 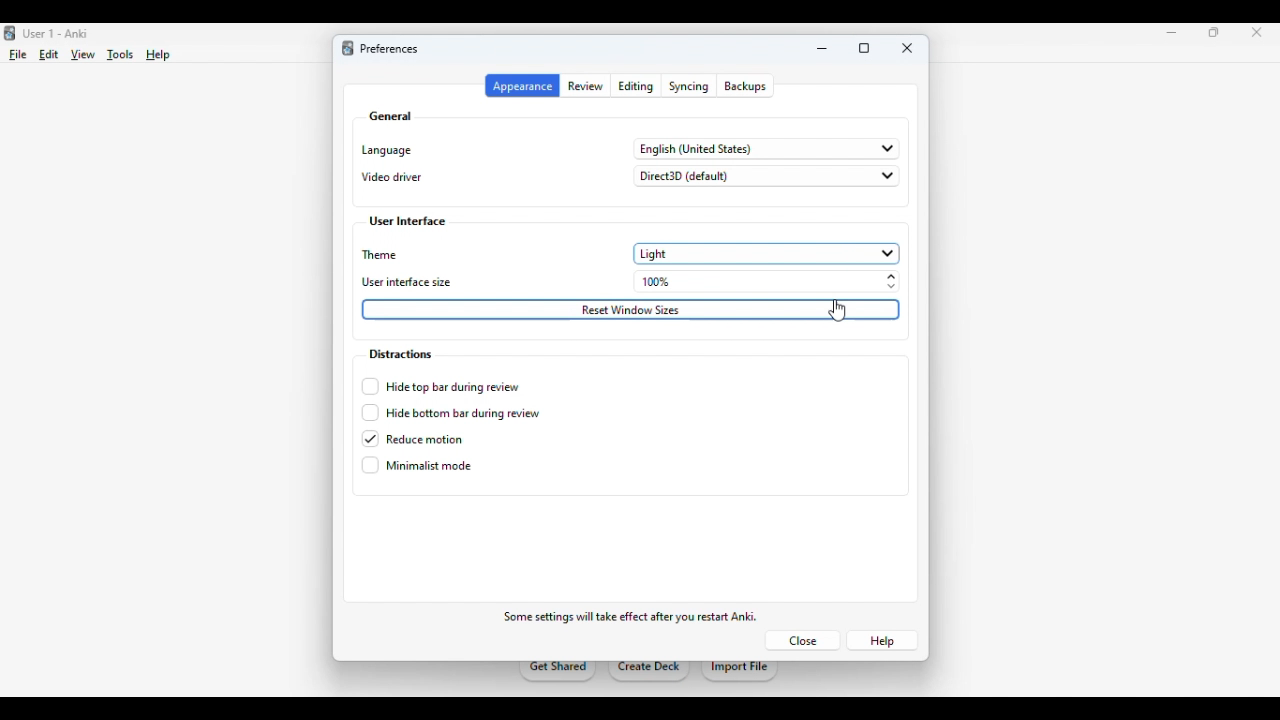 What do you see at coordinates (388, 49) in the screenshot?
I see `preferences` at bounding box center [388, 49].